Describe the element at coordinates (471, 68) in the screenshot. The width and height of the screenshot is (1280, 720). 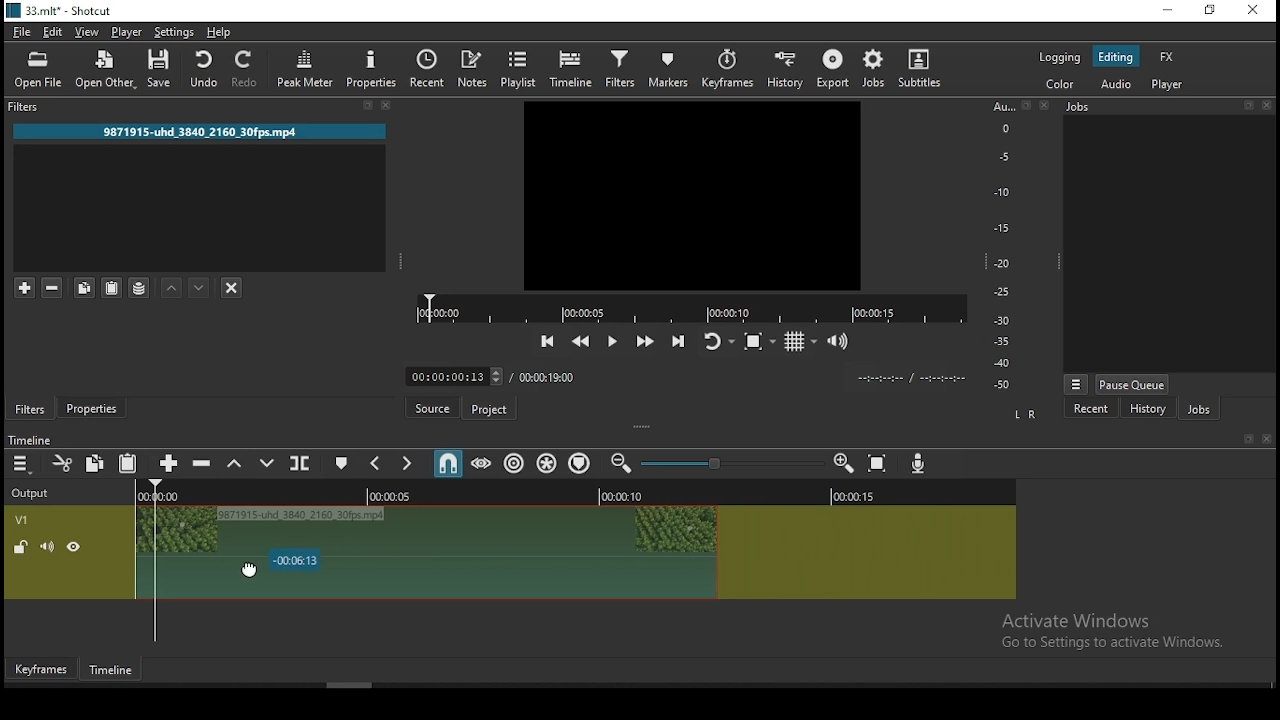
I see `notes` at that location.